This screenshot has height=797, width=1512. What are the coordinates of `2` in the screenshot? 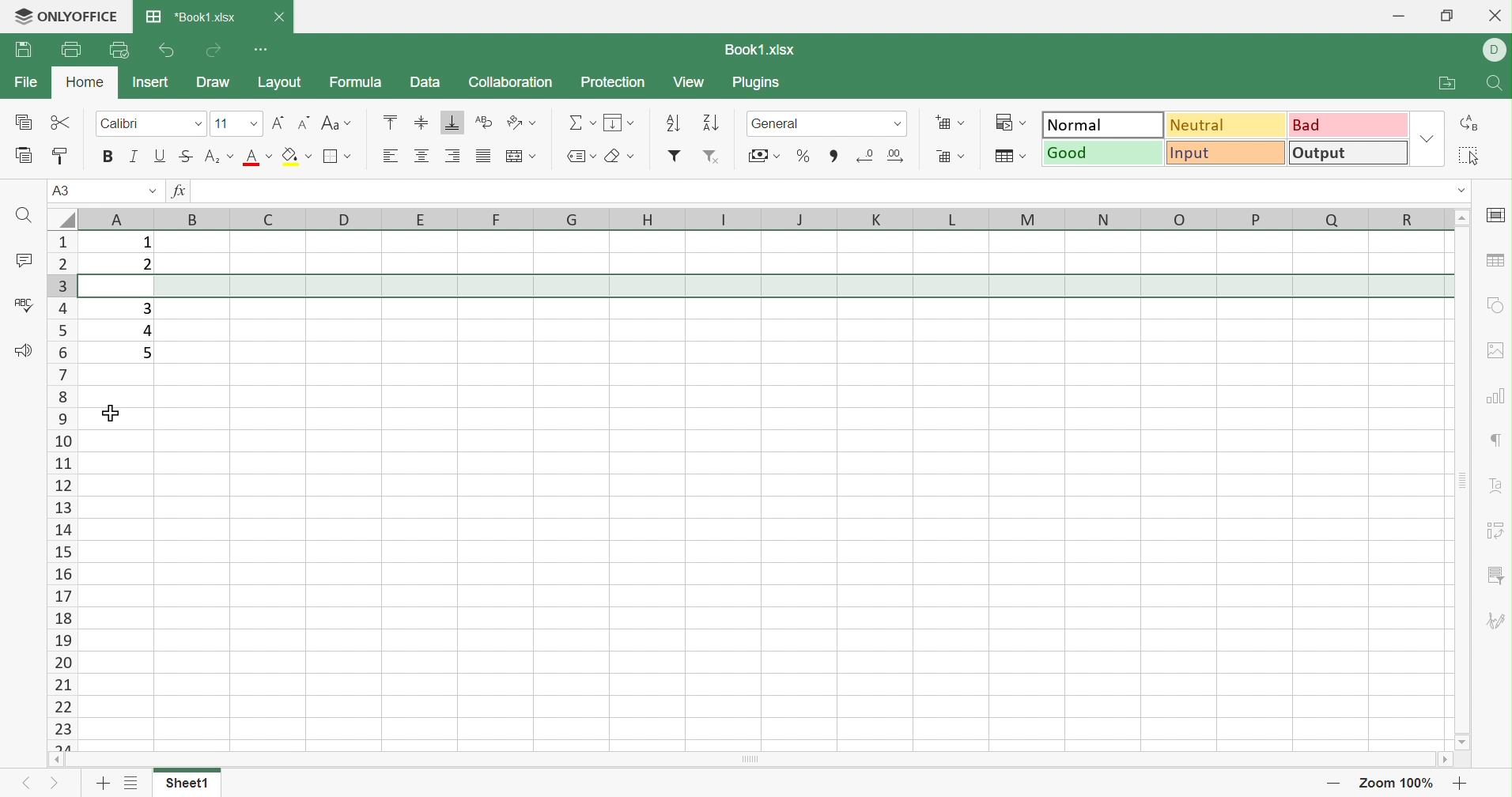 It's located at (146, 266).